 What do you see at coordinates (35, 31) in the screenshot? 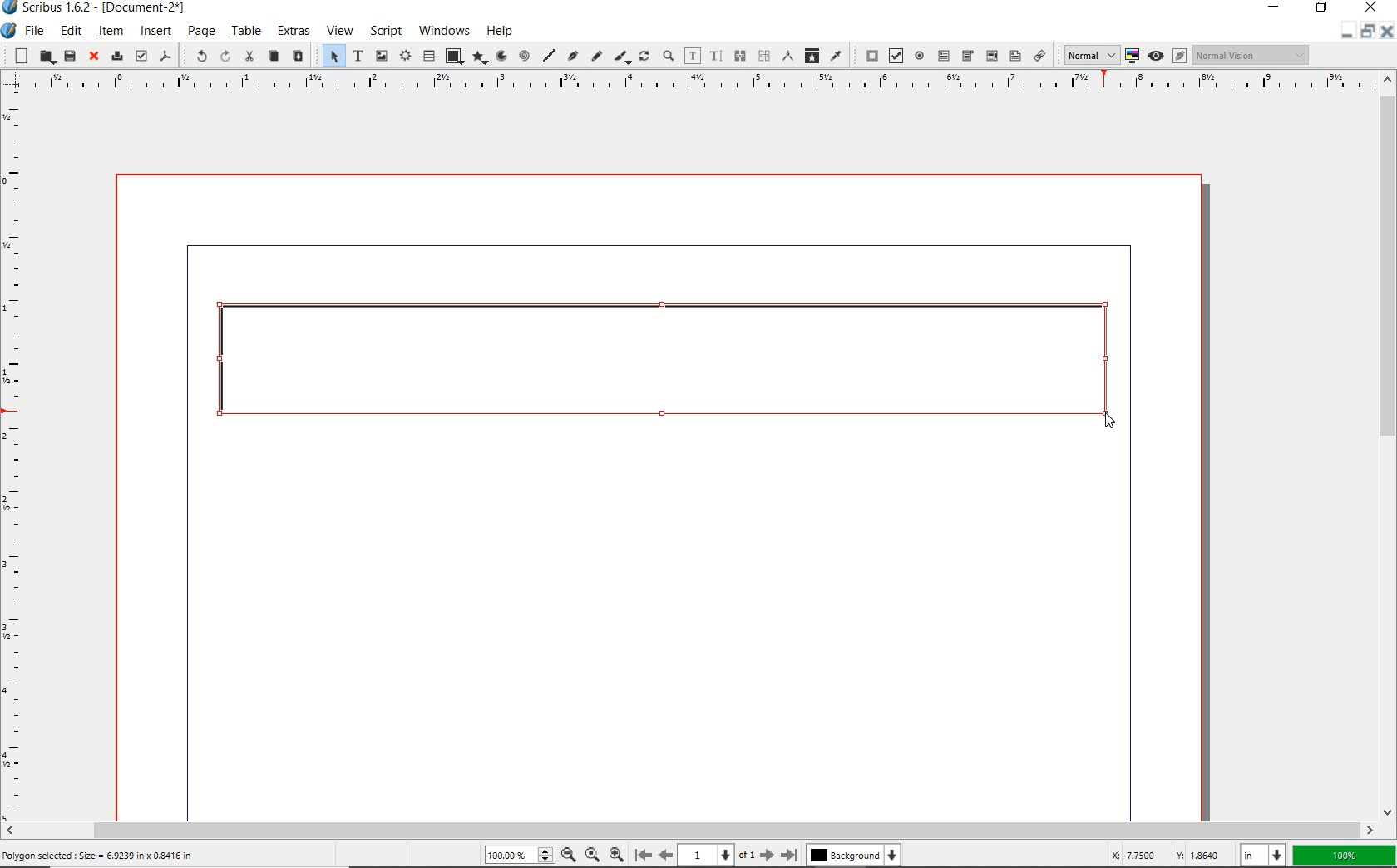
I see `file` at bounding box center [35, 31].